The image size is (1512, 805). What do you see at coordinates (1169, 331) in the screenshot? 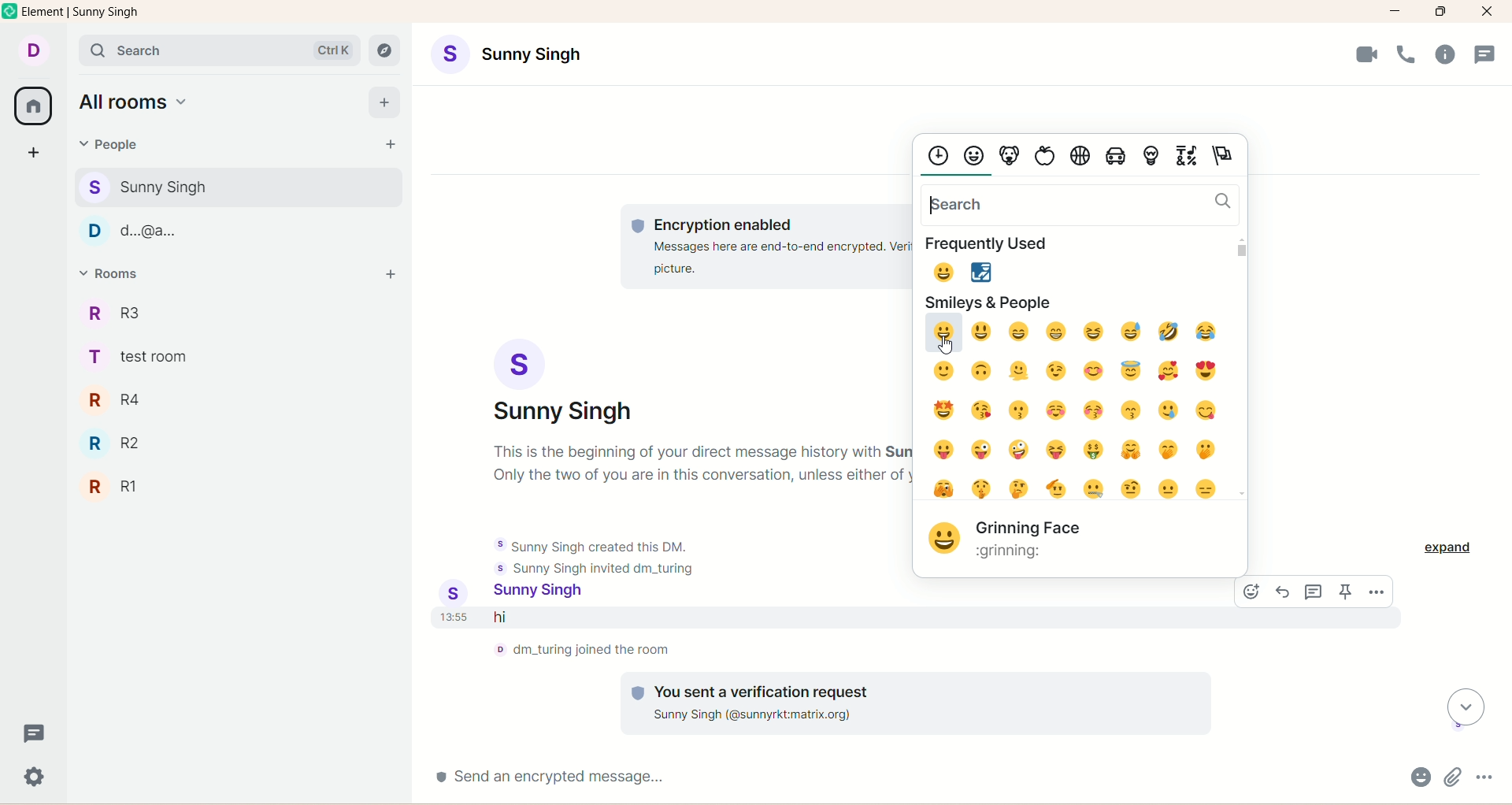
I see `Rolling on the floor laughing` at bounding box center [1169, 331].